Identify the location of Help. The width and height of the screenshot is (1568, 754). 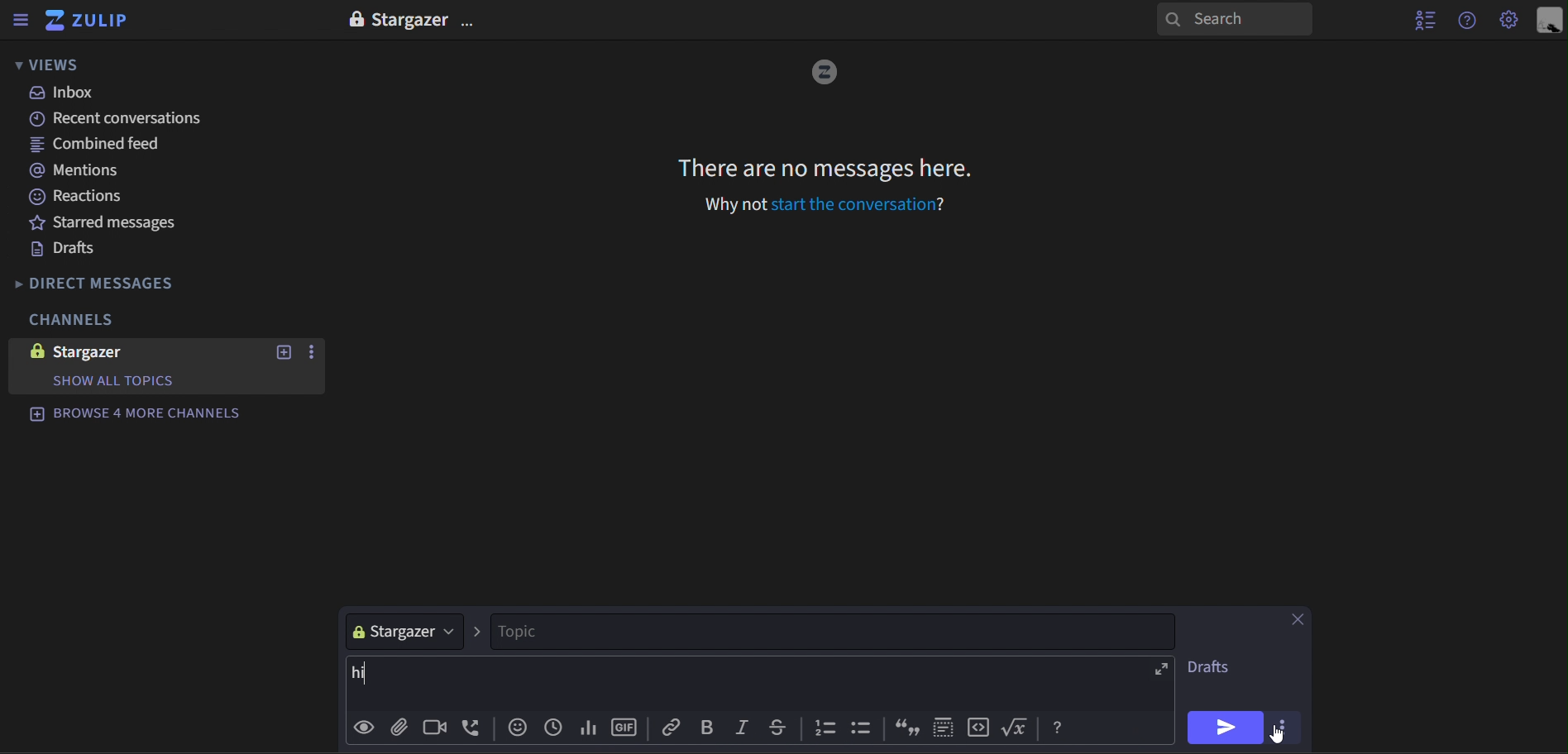
(1064, 730).